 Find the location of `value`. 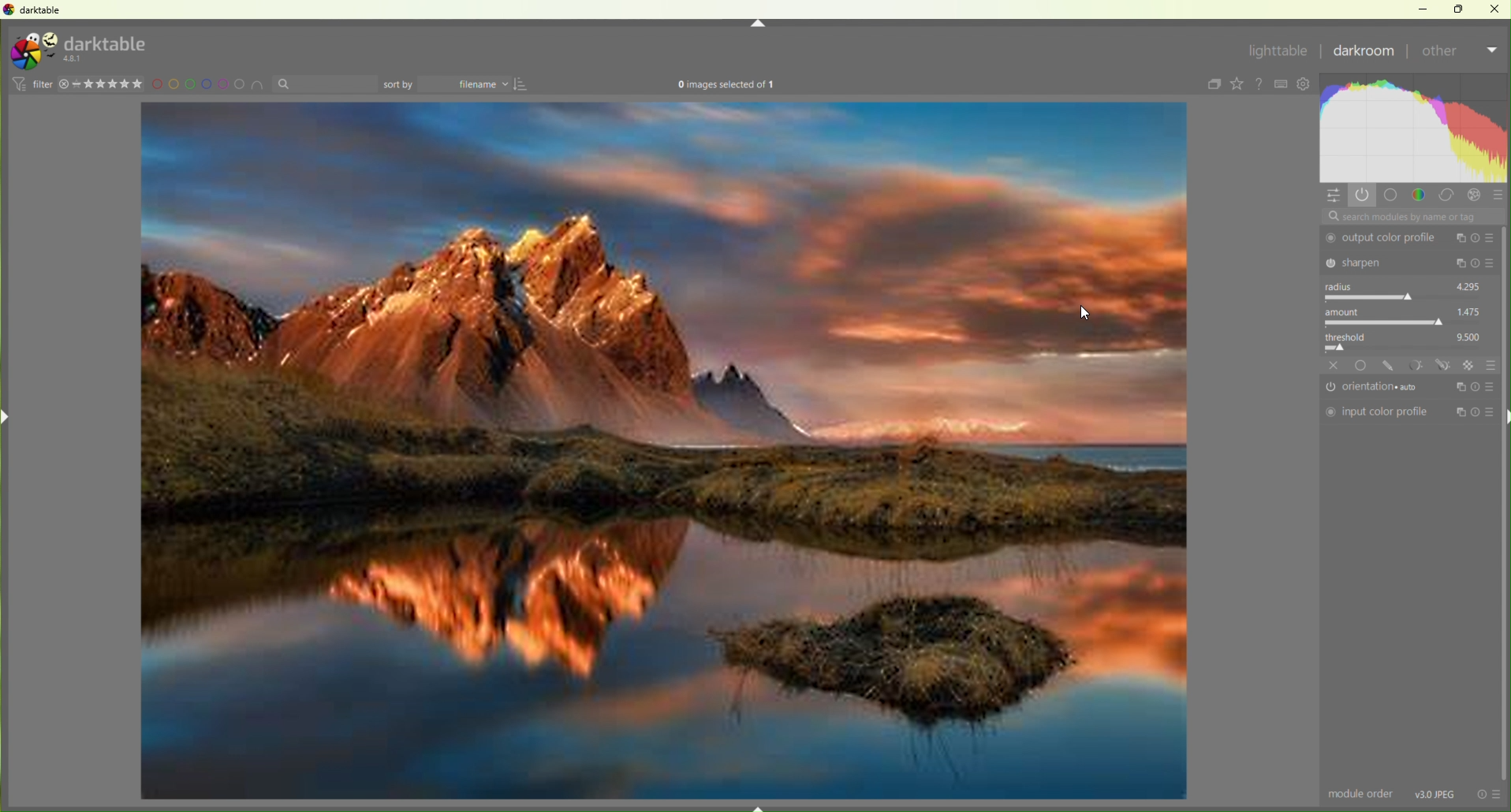

value is located at coordinates (1470, 311).